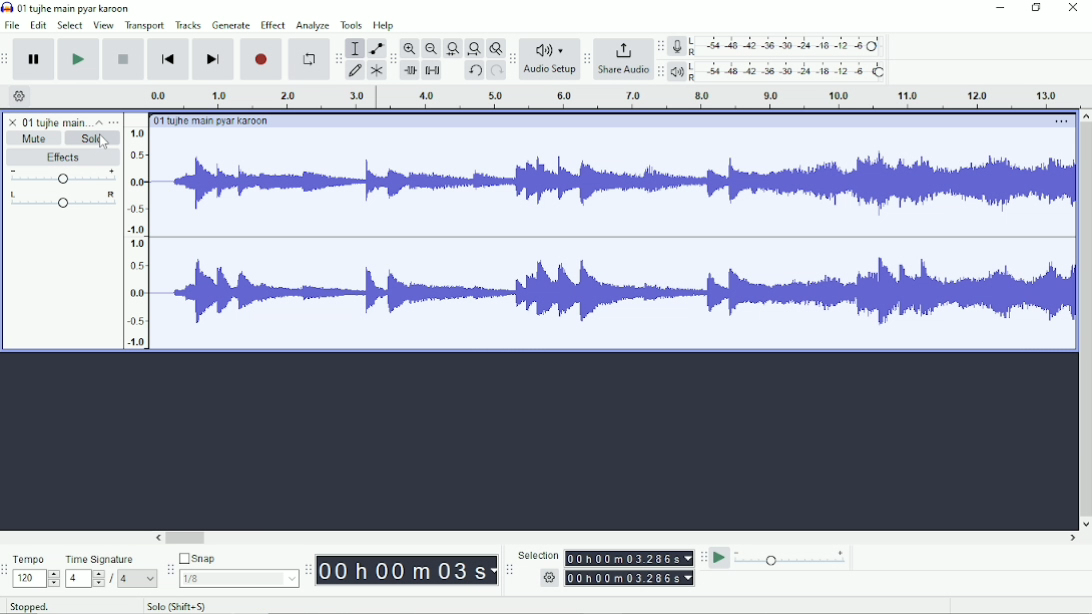 The image size is (1092, 614). Describe the element at coordinates (20, 96) in the screenshot. I see `Timeline osettings` at that location.